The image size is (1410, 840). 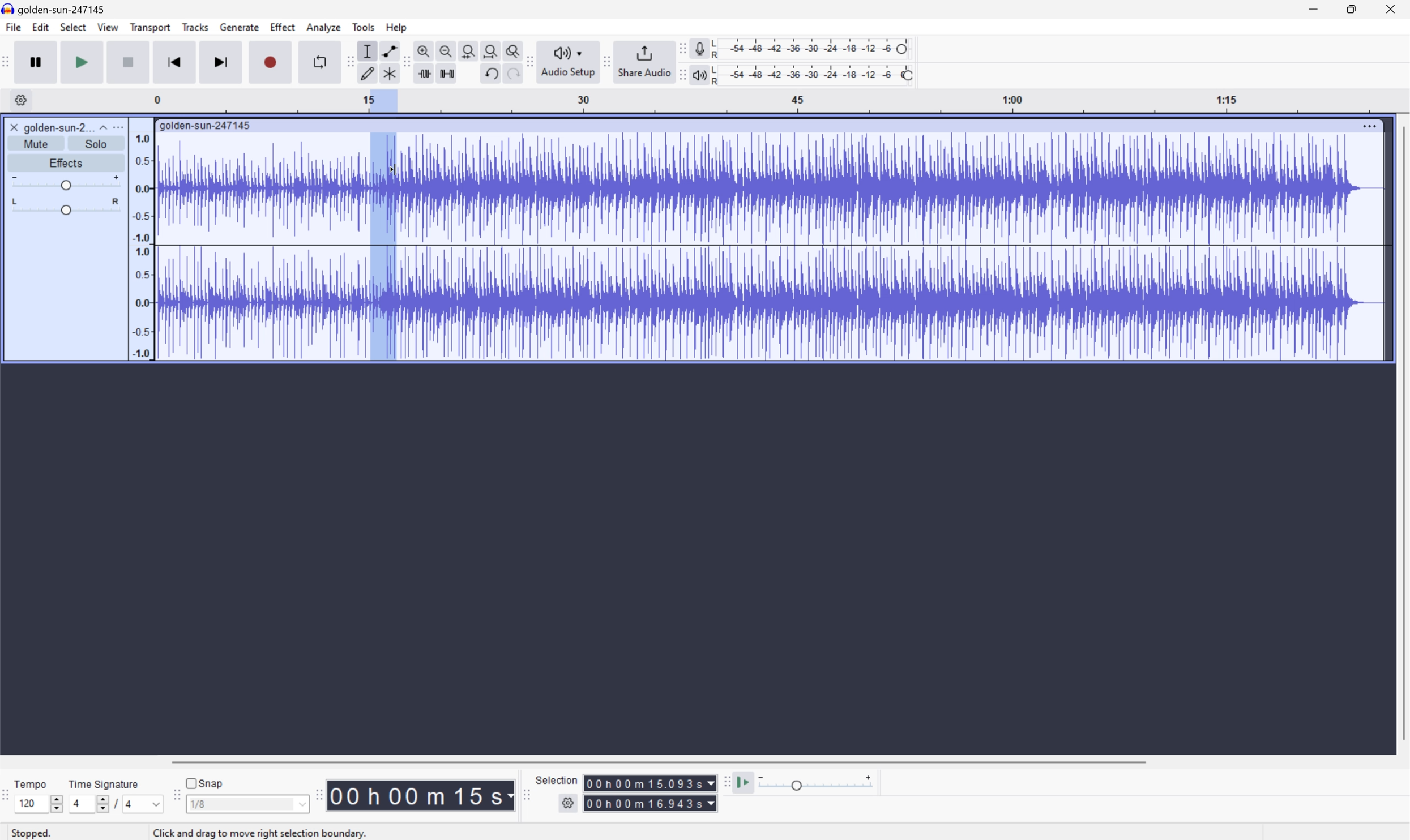 What do you see at coordinates (511, 78) in the screenshot?
I see `Redo` at bounding box center [511, 78].